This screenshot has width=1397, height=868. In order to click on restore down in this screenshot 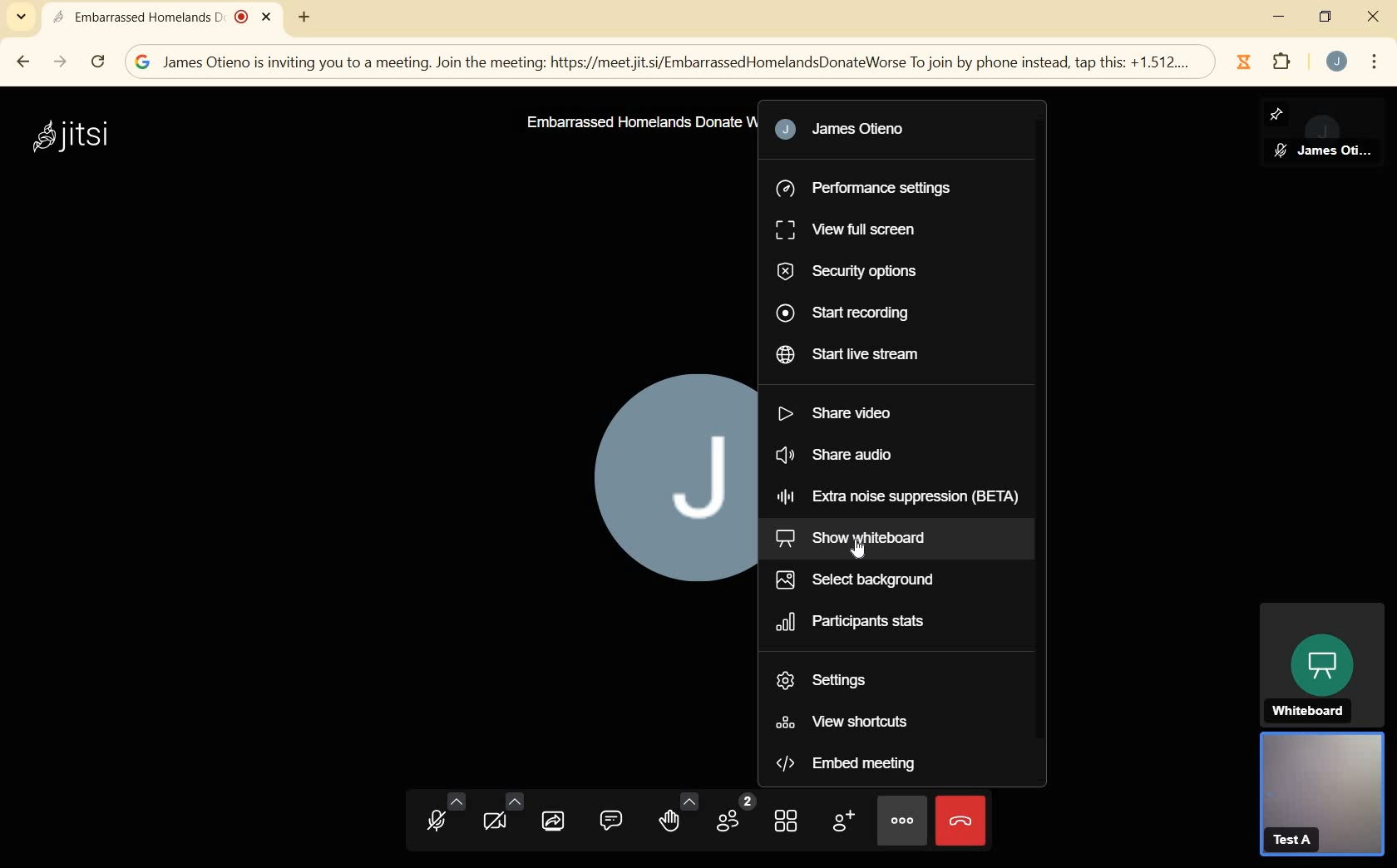, I will do `click(1325, 19)`.